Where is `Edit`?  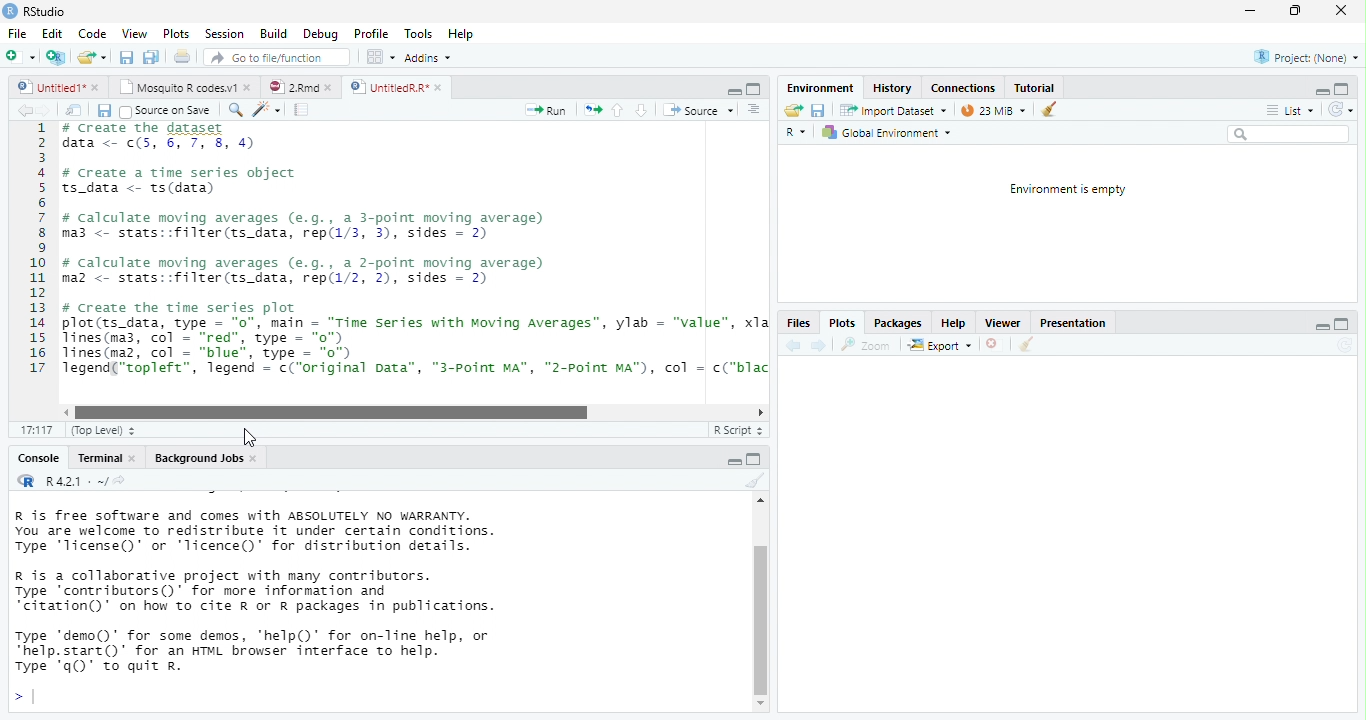 Edit is located at coordinates (52, 33).